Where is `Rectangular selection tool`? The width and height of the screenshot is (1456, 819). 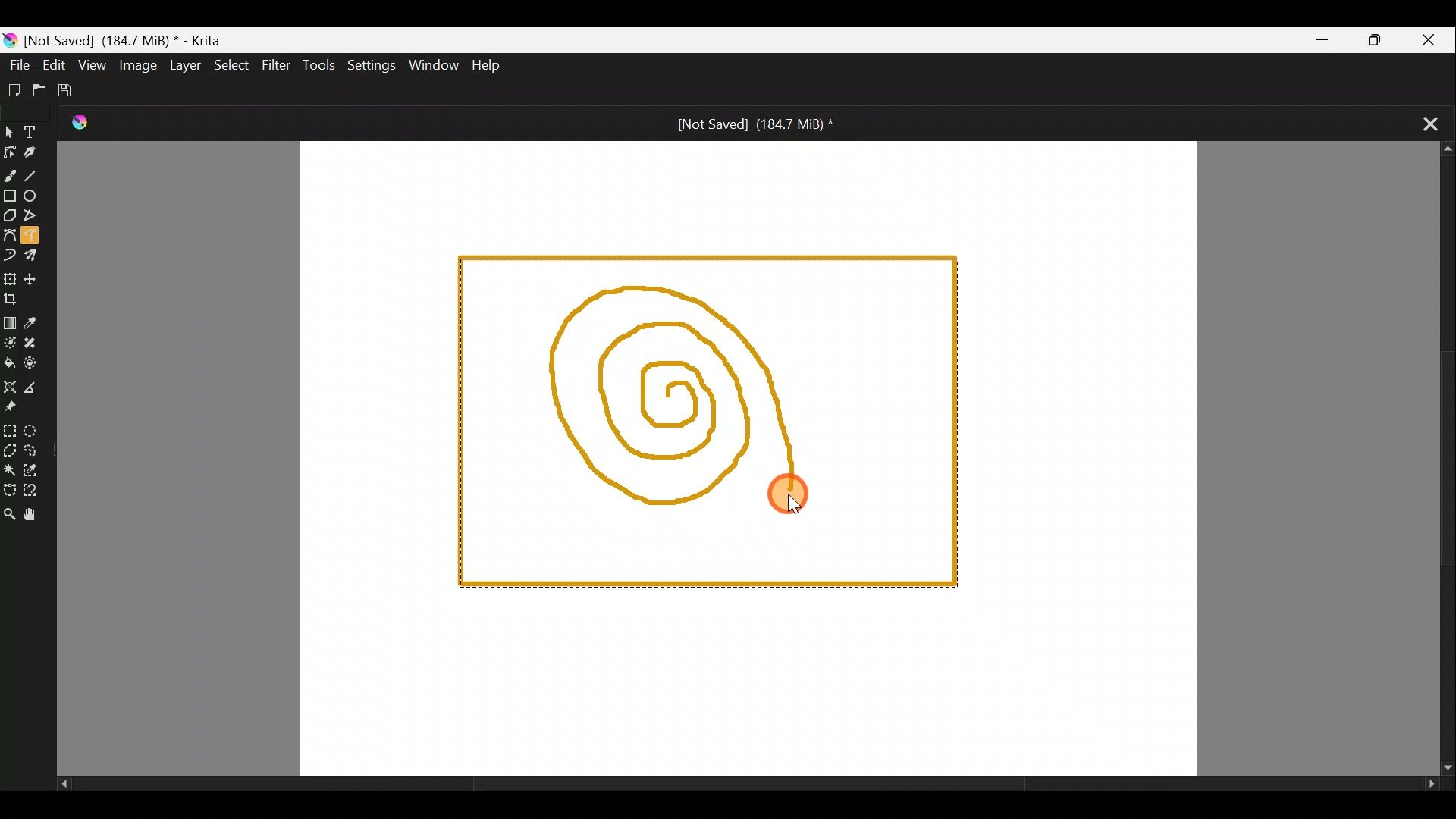 Rectangular selection tool is located at coordinates (10, 428).